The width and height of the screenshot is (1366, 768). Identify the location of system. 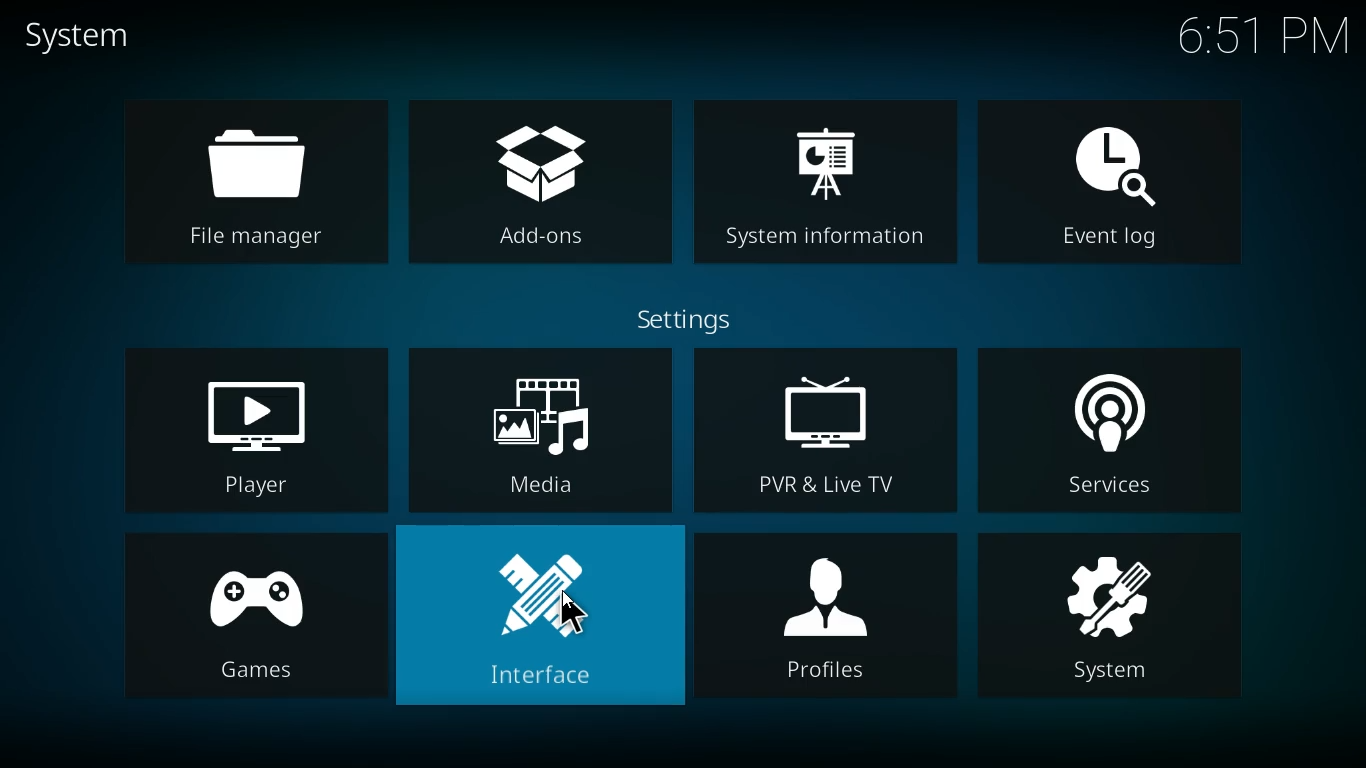
(1121, 618).